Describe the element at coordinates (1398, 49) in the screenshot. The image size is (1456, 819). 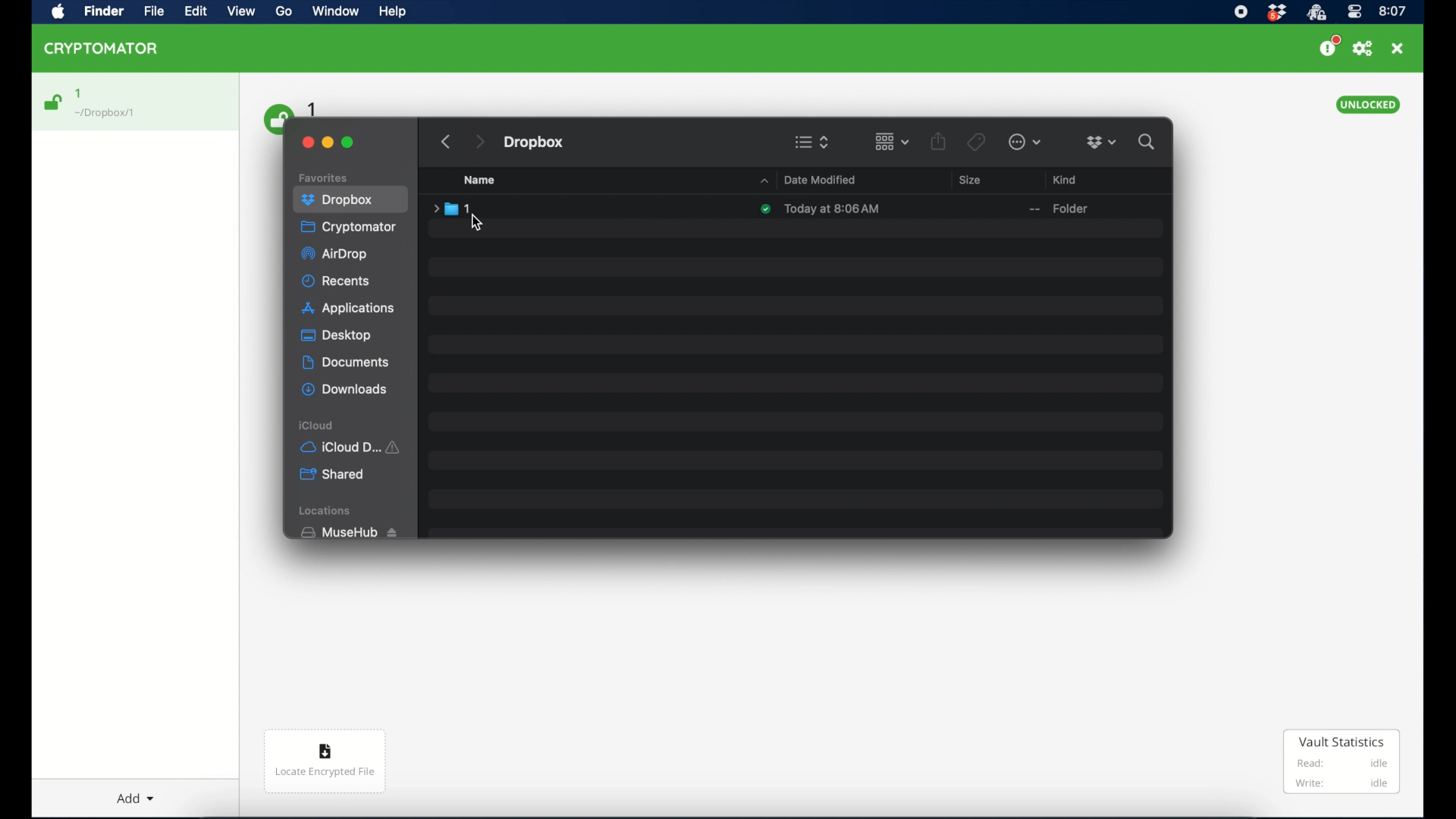
I see `close` at that location.